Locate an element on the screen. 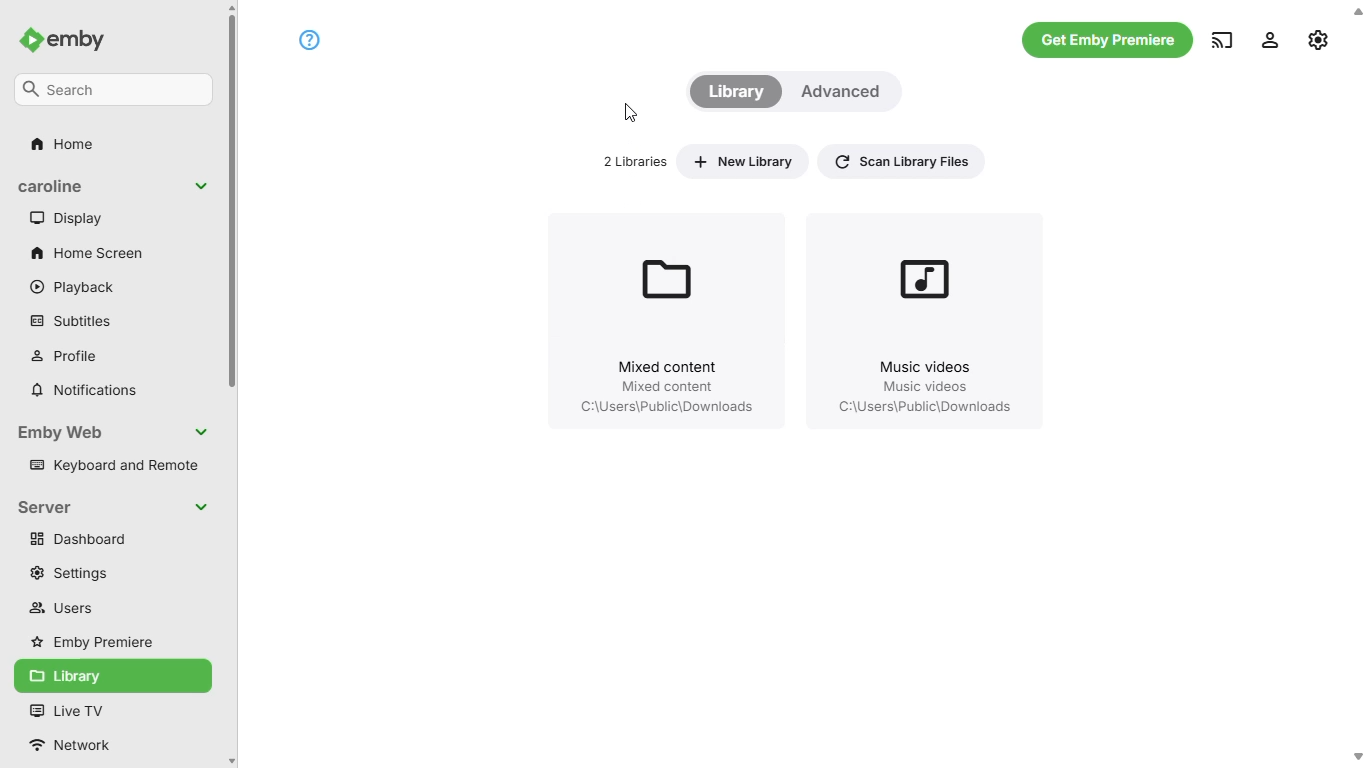  settings is located at coordinates (66, 573).